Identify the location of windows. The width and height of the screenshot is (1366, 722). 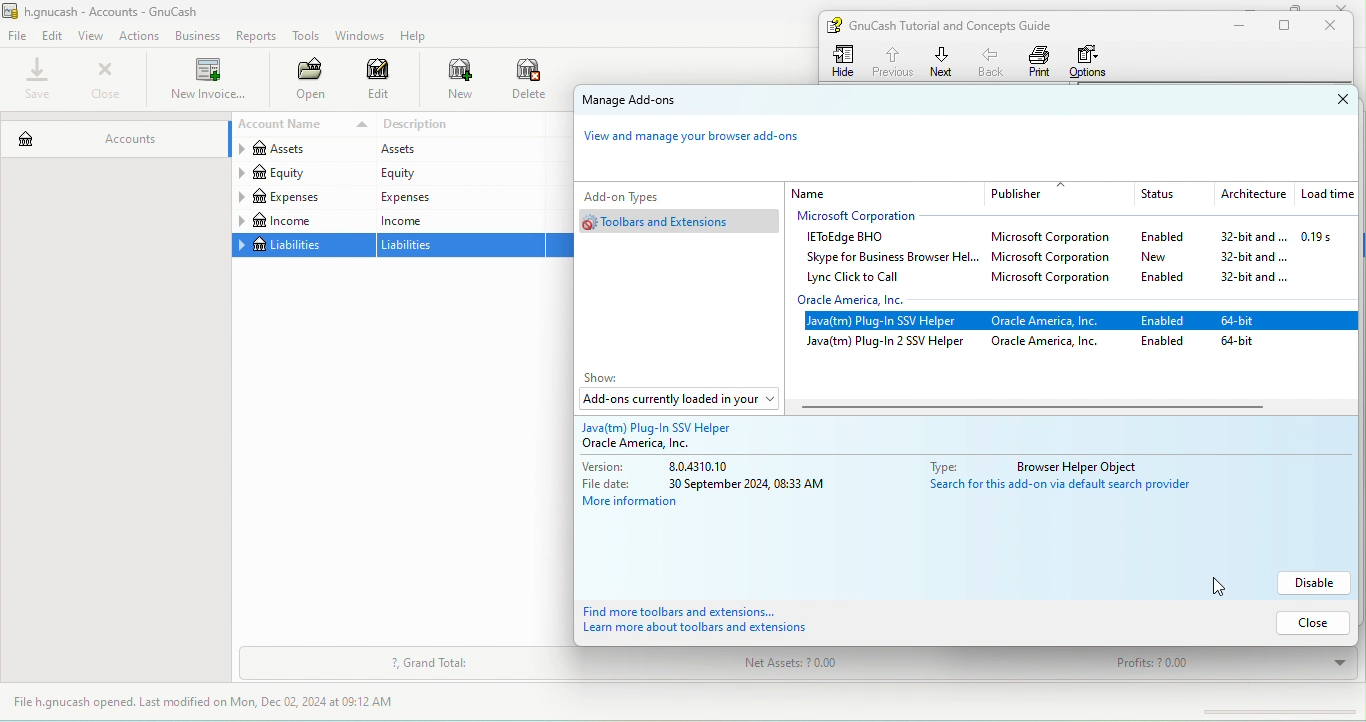
(358, 36).